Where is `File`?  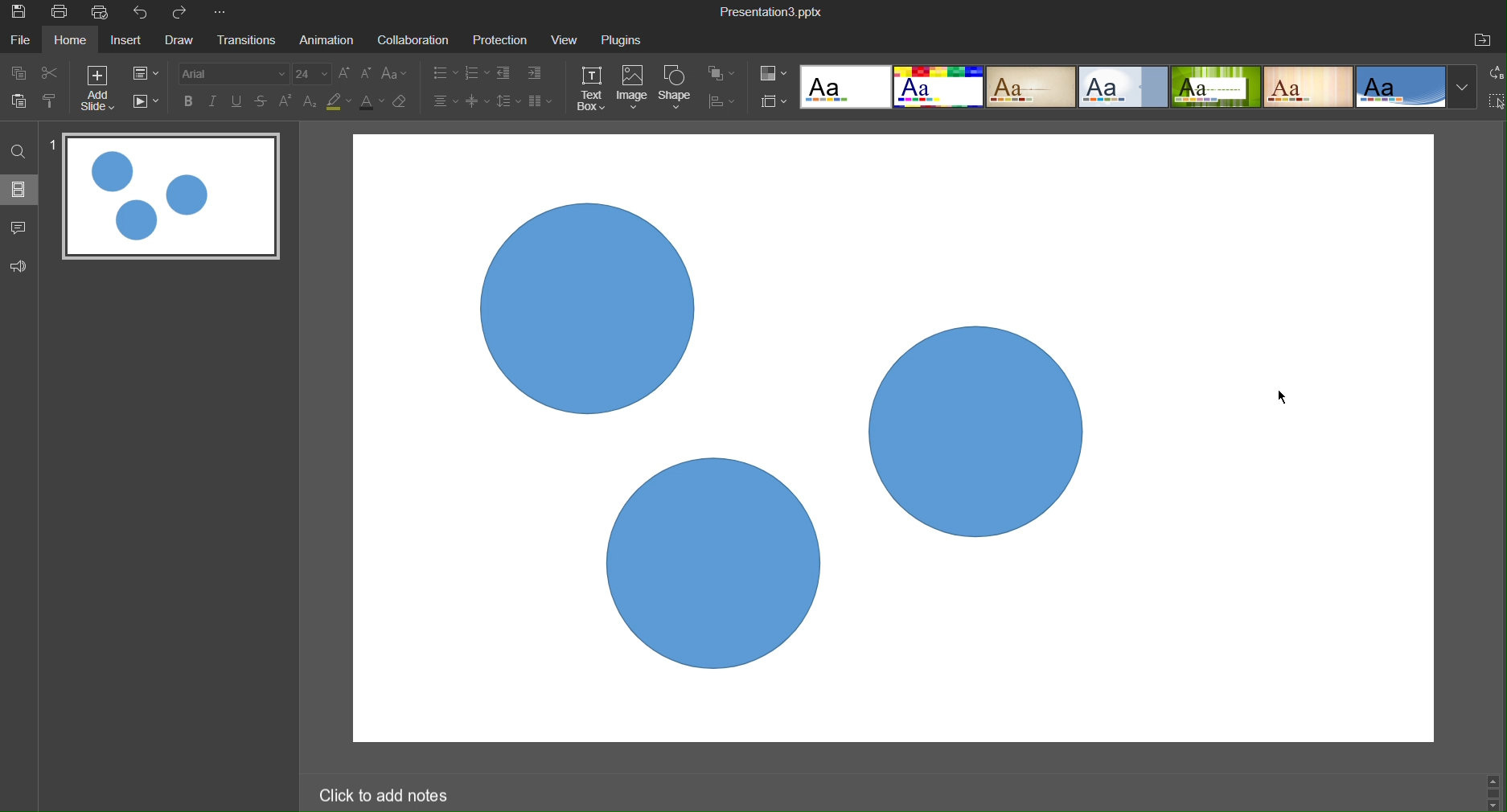
File is located at coordinates (22, 43).